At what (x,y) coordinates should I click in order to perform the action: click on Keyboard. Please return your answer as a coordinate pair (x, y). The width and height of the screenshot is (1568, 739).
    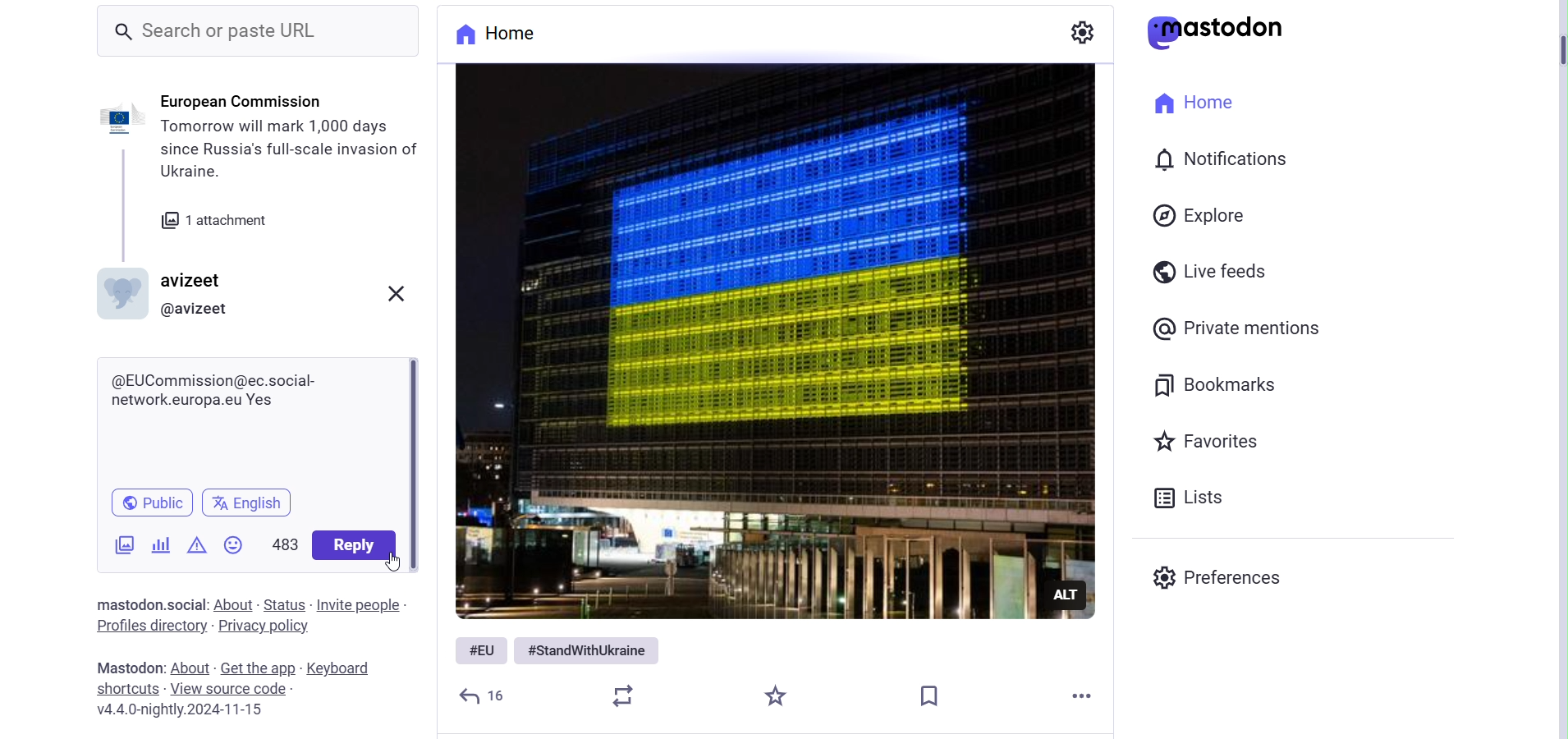
    Looking at the image, I should click on (343, 668).